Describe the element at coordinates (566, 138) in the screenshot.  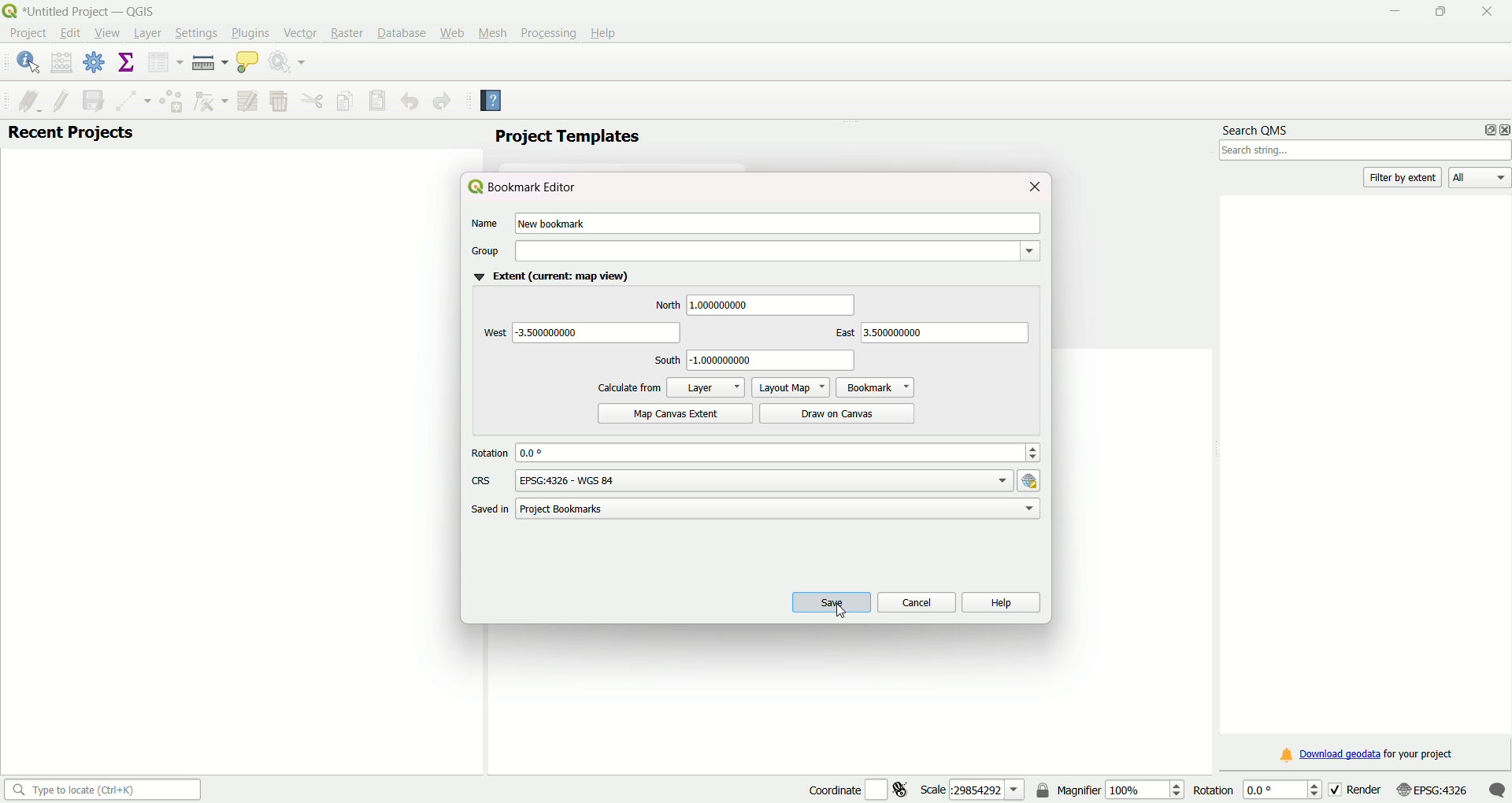
I see `project templates` at that location.